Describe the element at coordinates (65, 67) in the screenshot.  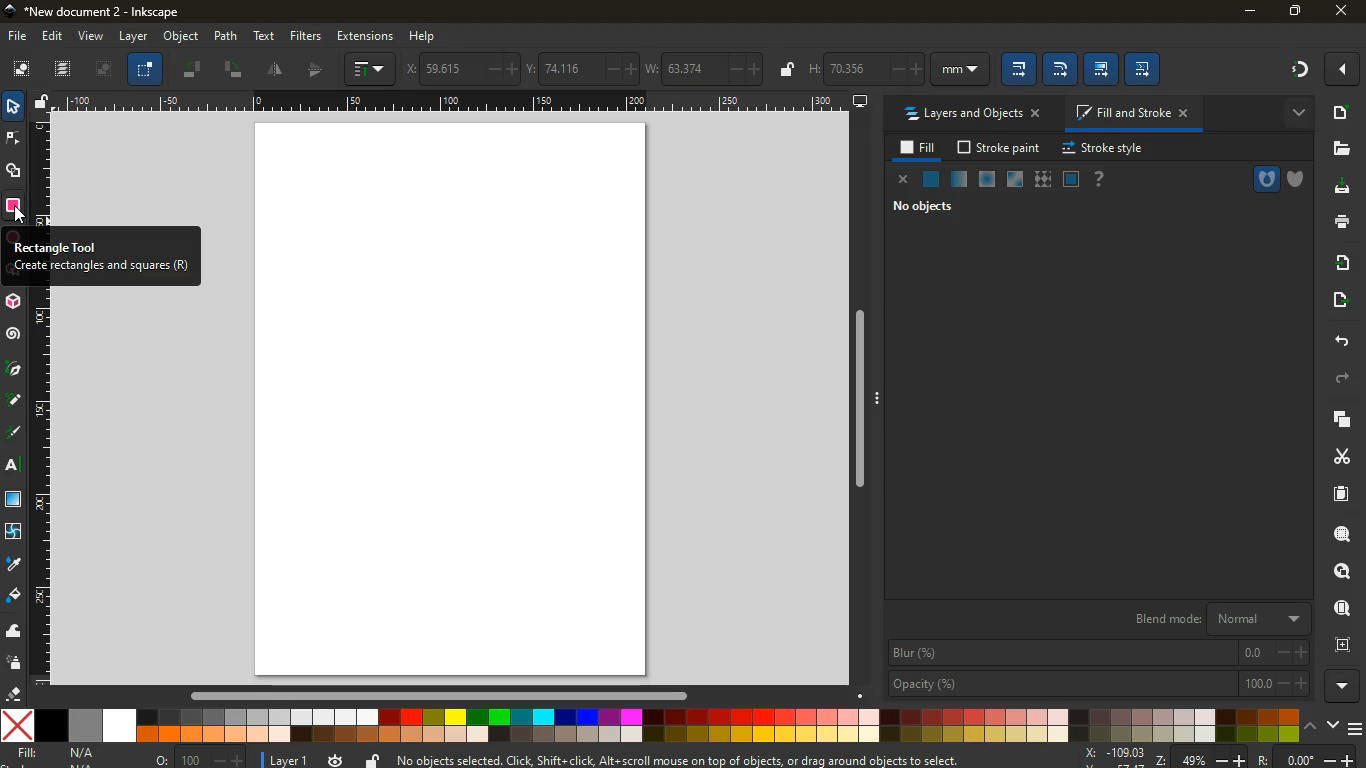
I see `layers` at that location.